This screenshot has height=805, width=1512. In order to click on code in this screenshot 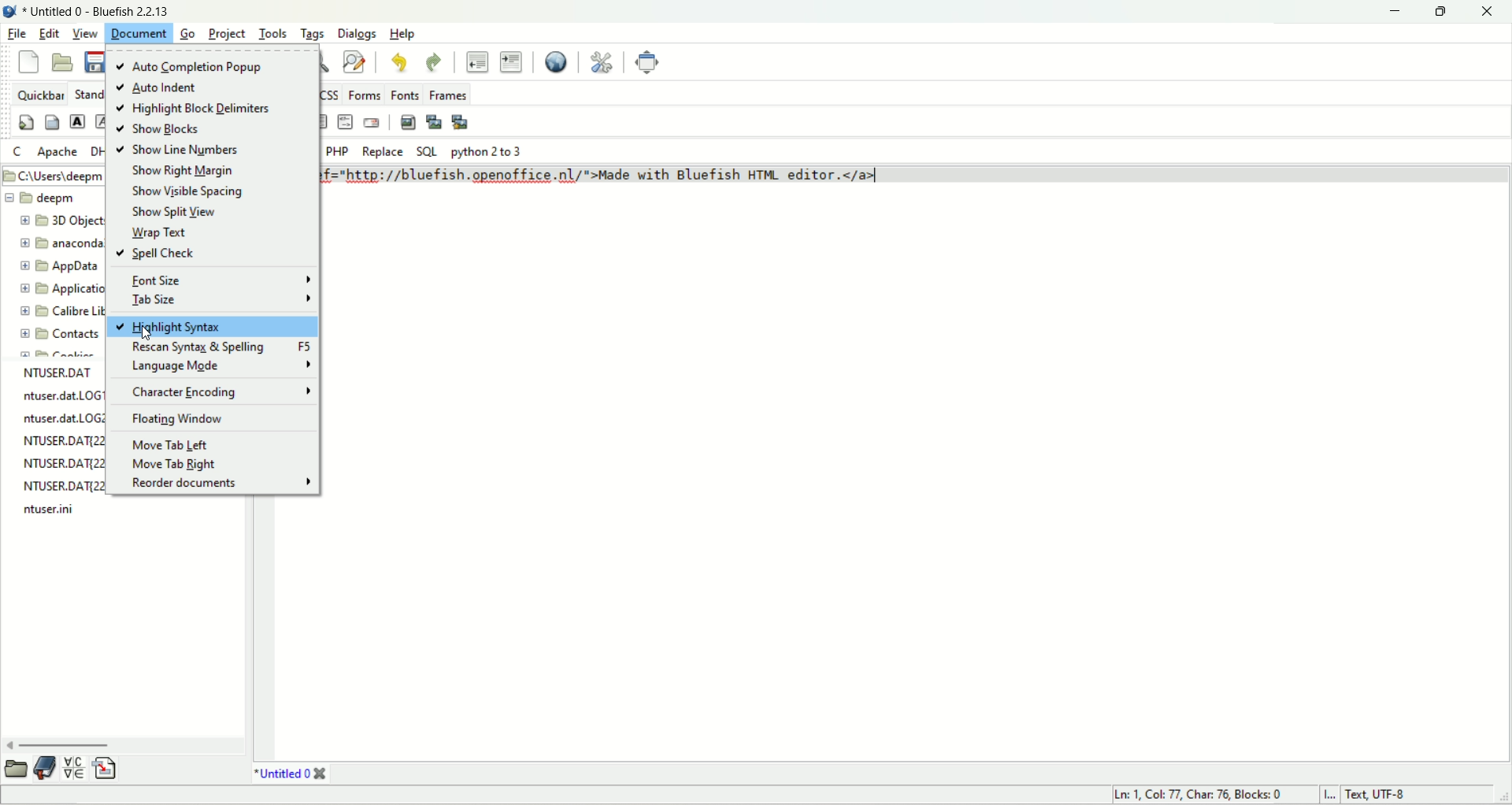, I will do `click(913, 174)`.